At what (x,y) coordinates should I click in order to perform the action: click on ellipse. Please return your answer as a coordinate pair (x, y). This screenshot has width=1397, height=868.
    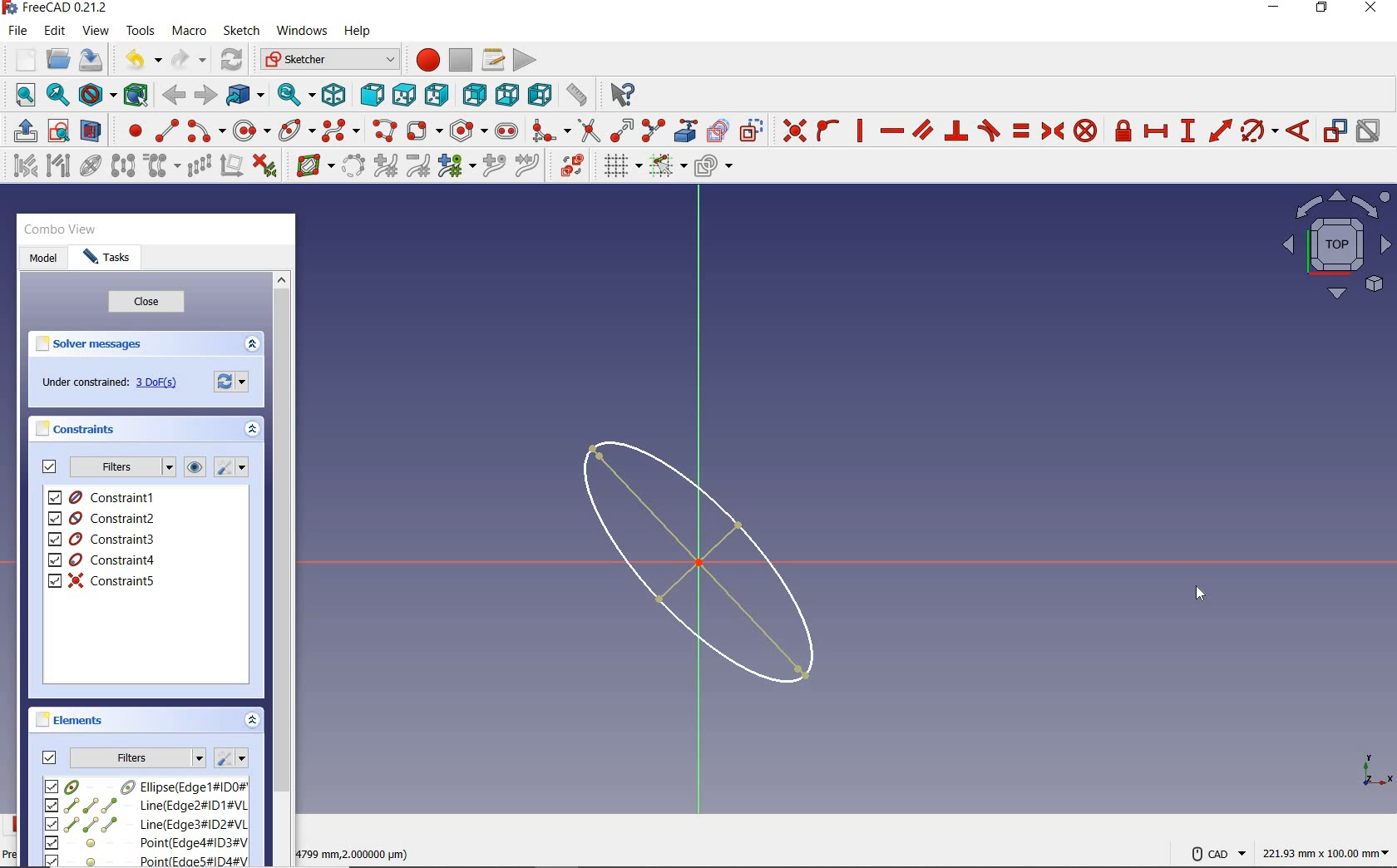
    Looking at the image, I should click on (296, 129).